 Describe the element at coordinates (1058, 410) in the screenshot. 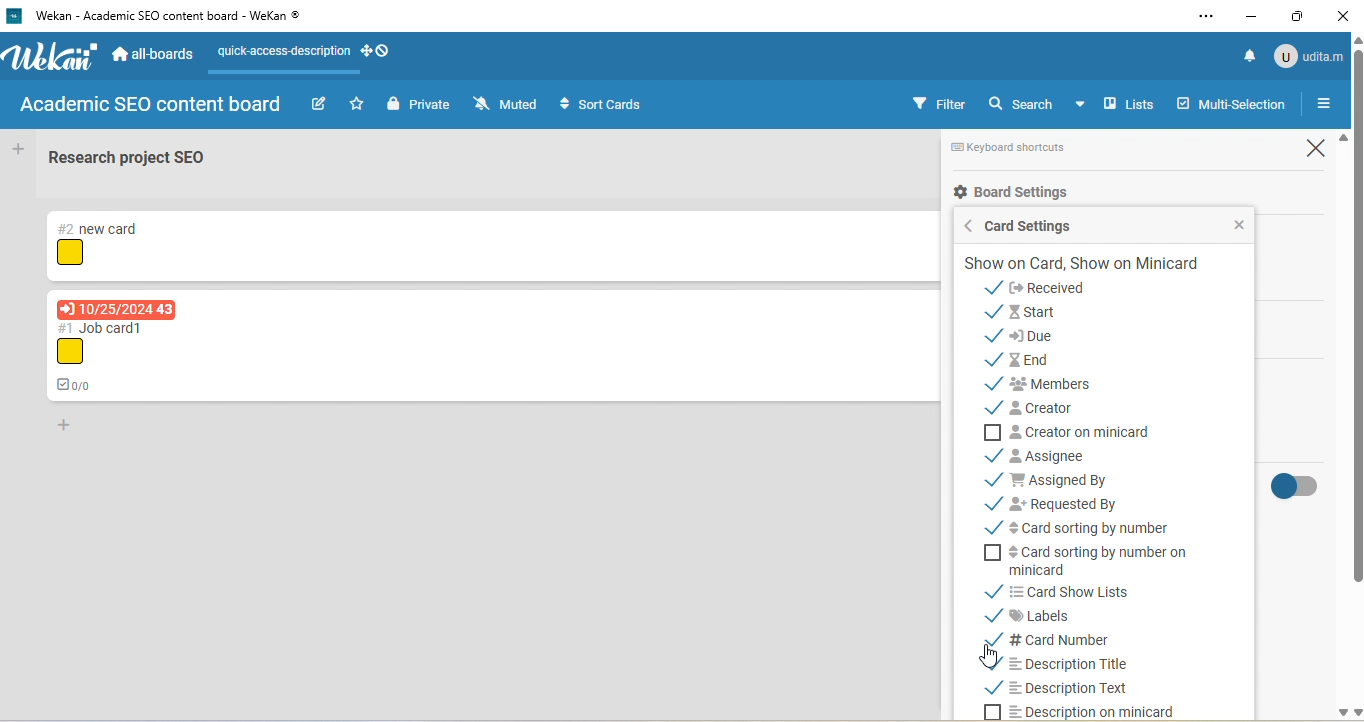

I see `creator` at that location.